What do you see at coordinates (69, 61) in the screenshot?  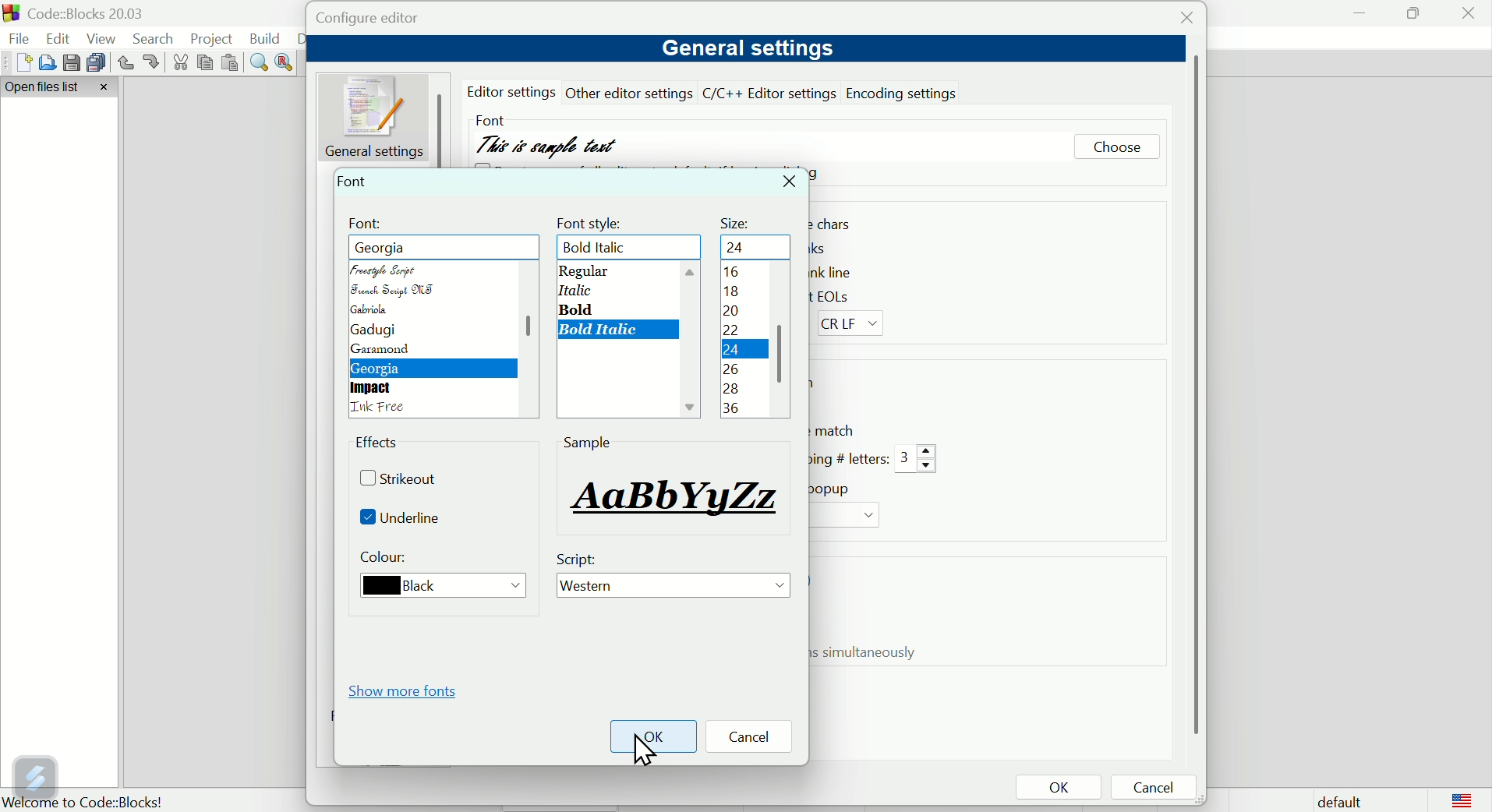 I see `save` at bounding box center [69, 61].